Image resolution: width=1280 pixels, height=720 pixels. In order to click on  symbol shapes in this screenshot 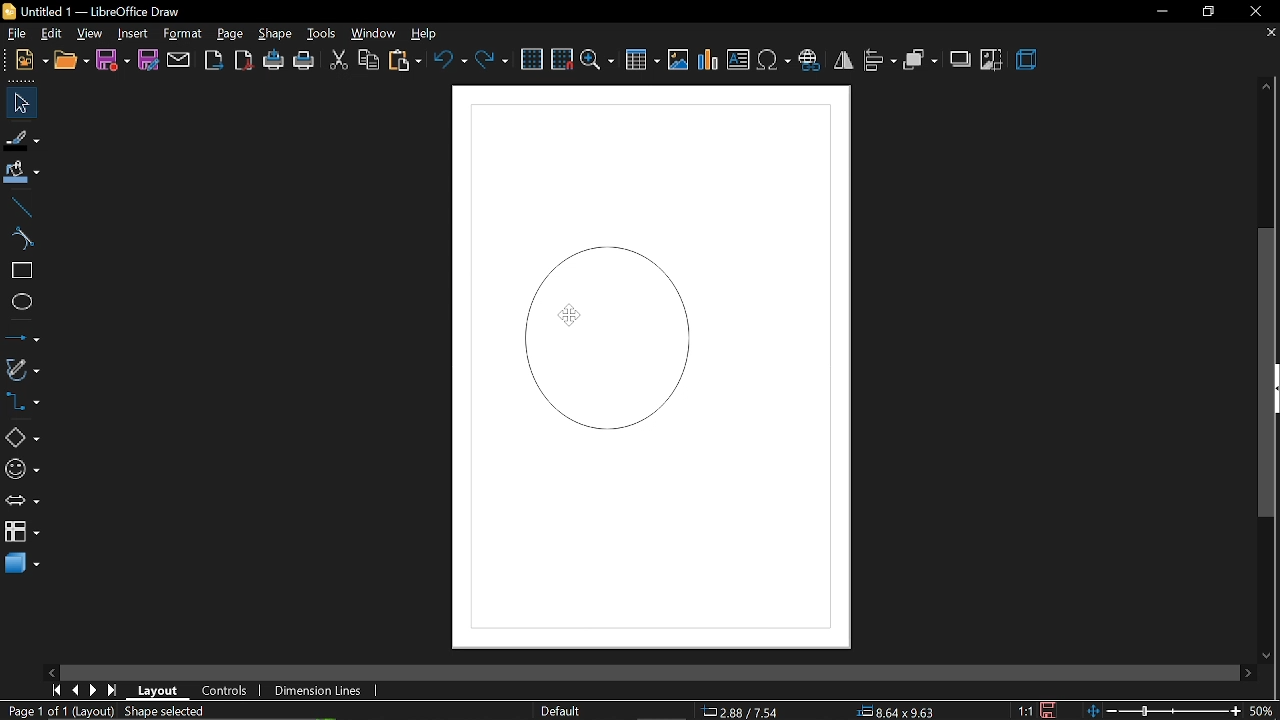, I will do `click(24, 471)`.